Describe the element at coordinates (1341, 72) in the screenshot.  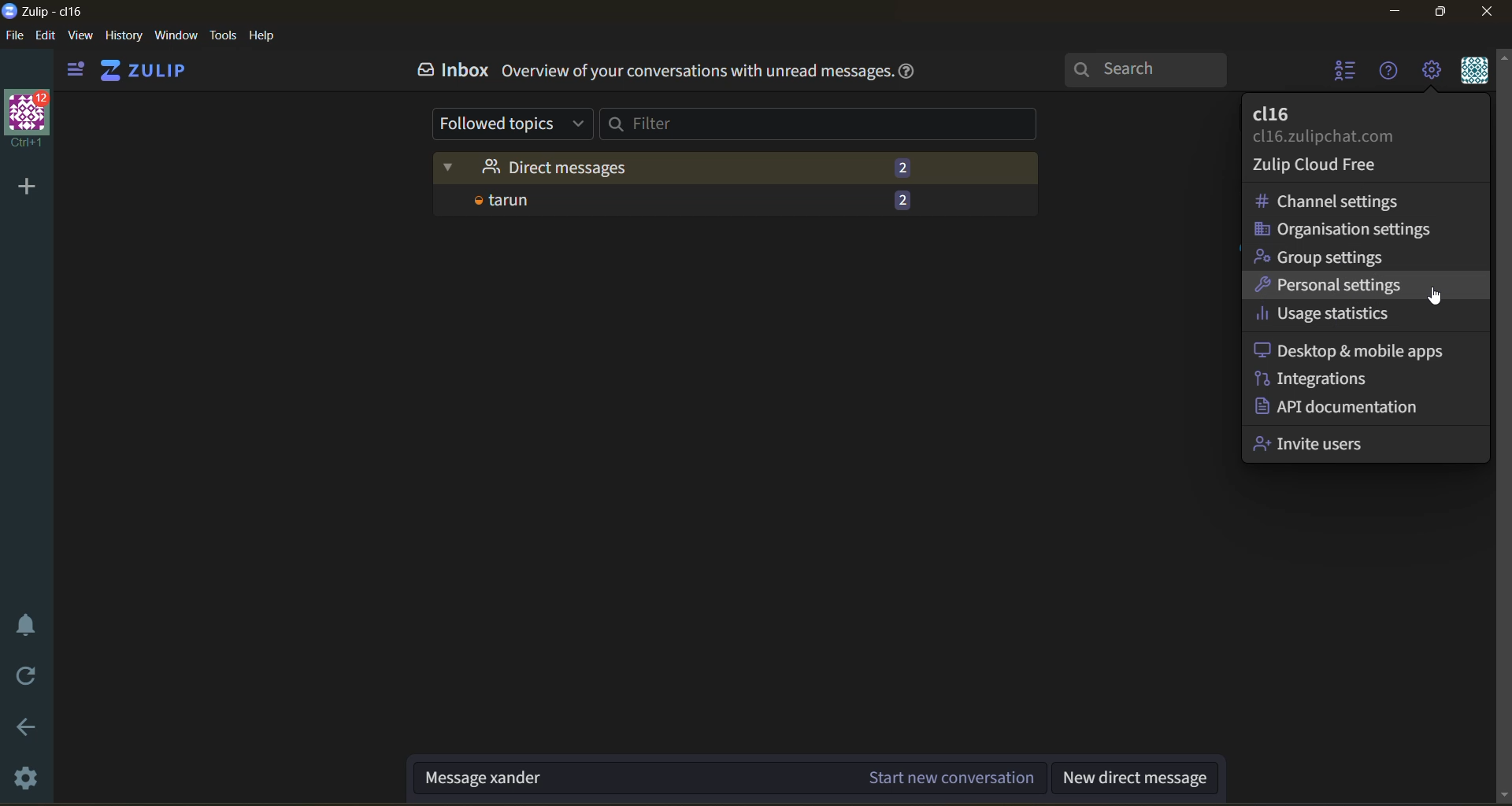
I see `hide user list` at that location.